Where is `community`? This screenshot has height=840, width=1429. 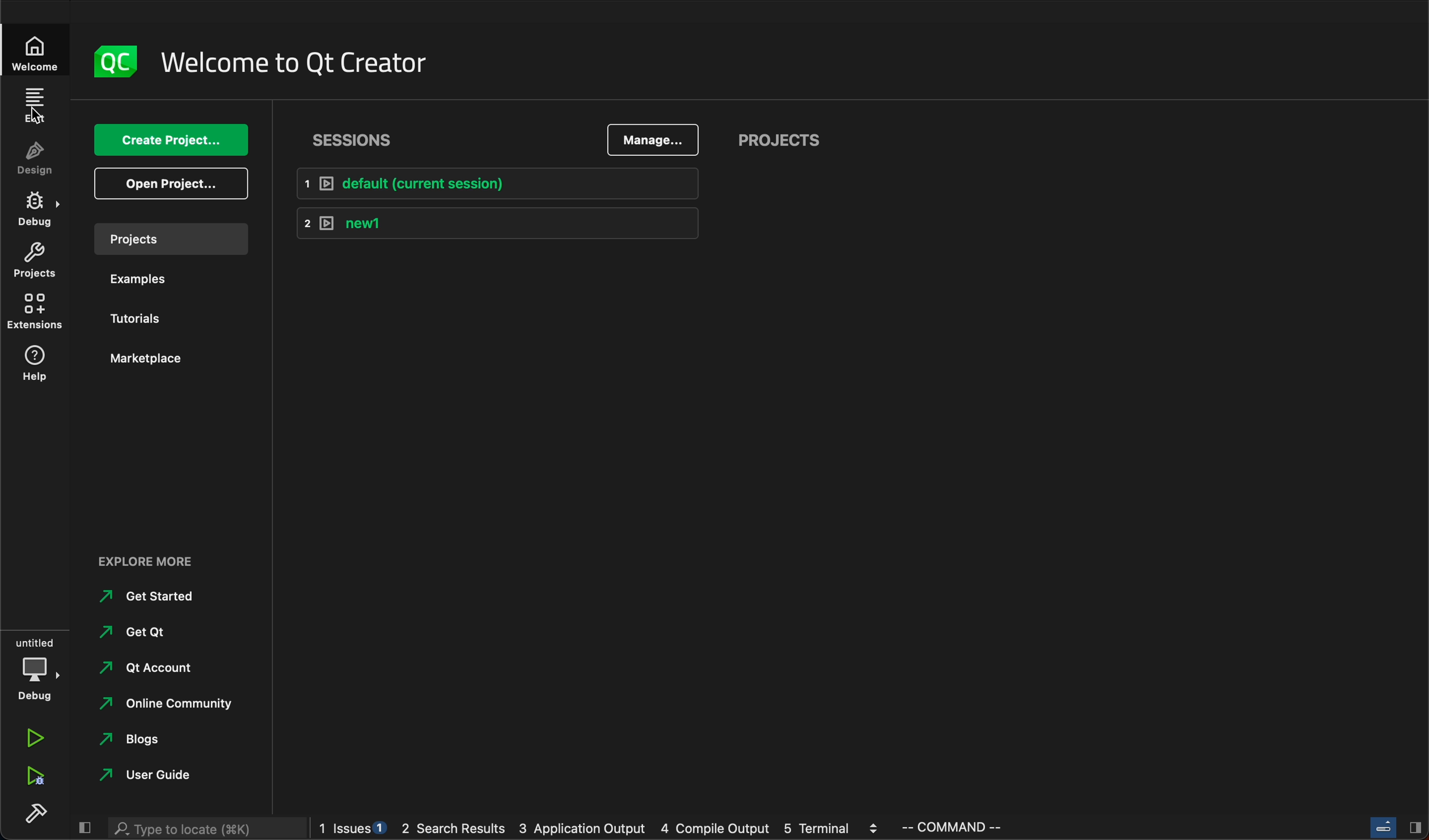 community is located at coordinates (167, 702).